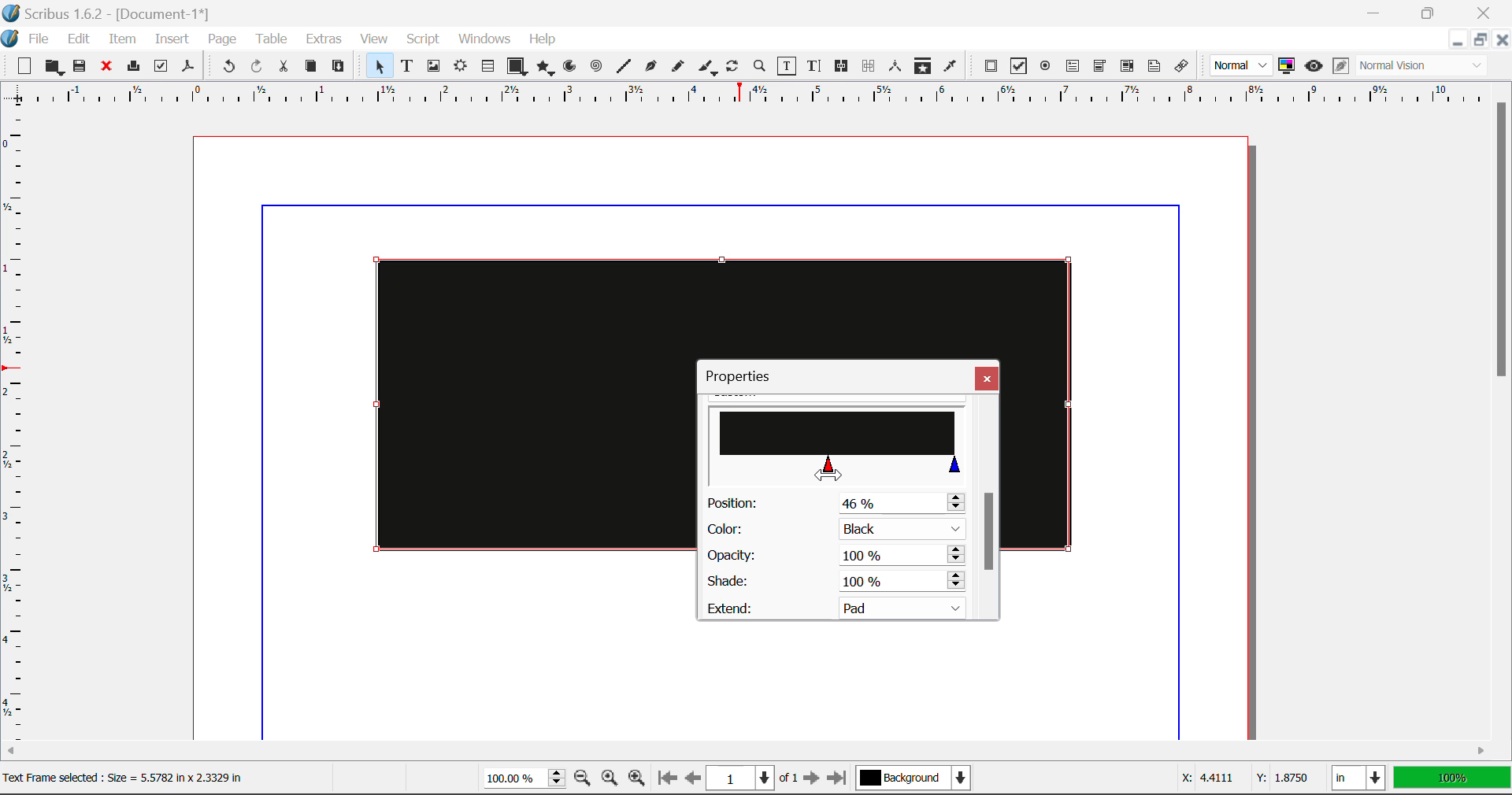  What do you see at coordinates (839, 503) in the screenshot?
I see `Position Altered` at bounding box center [839, 503].